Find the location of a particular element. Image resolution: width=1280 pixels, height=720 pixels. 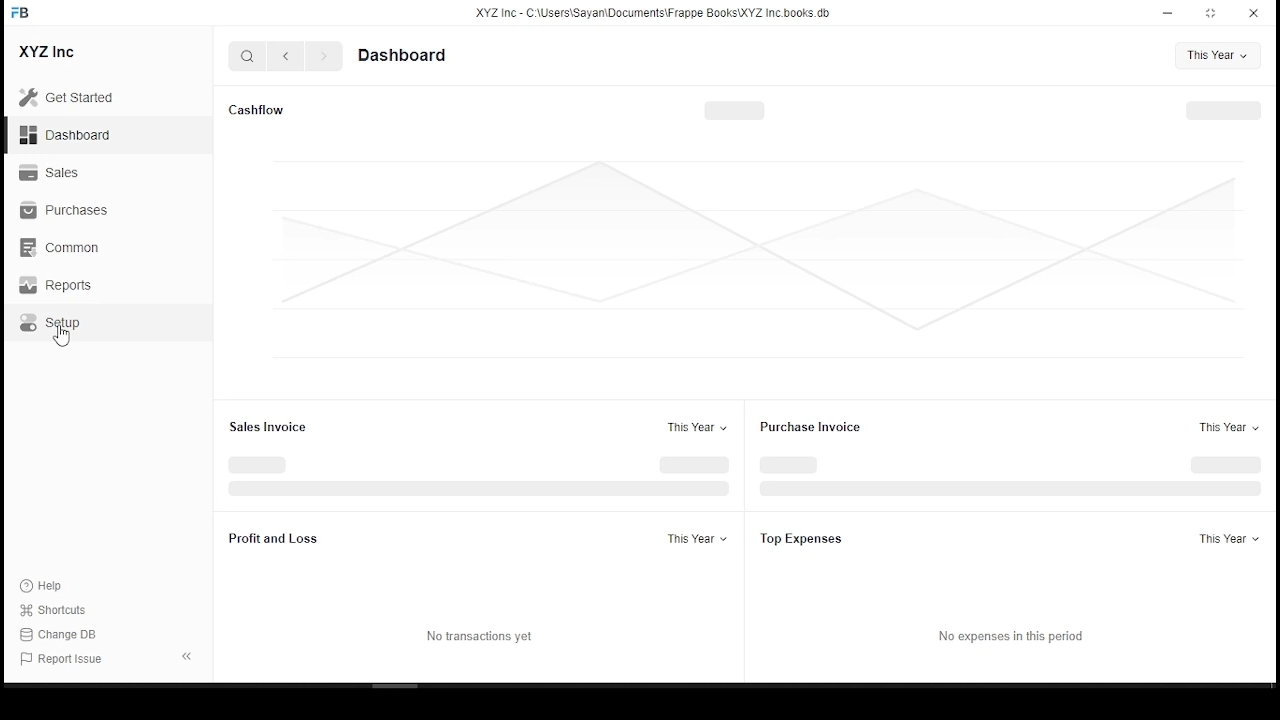

Purchase Invoice is located at coordinates (811, 426).